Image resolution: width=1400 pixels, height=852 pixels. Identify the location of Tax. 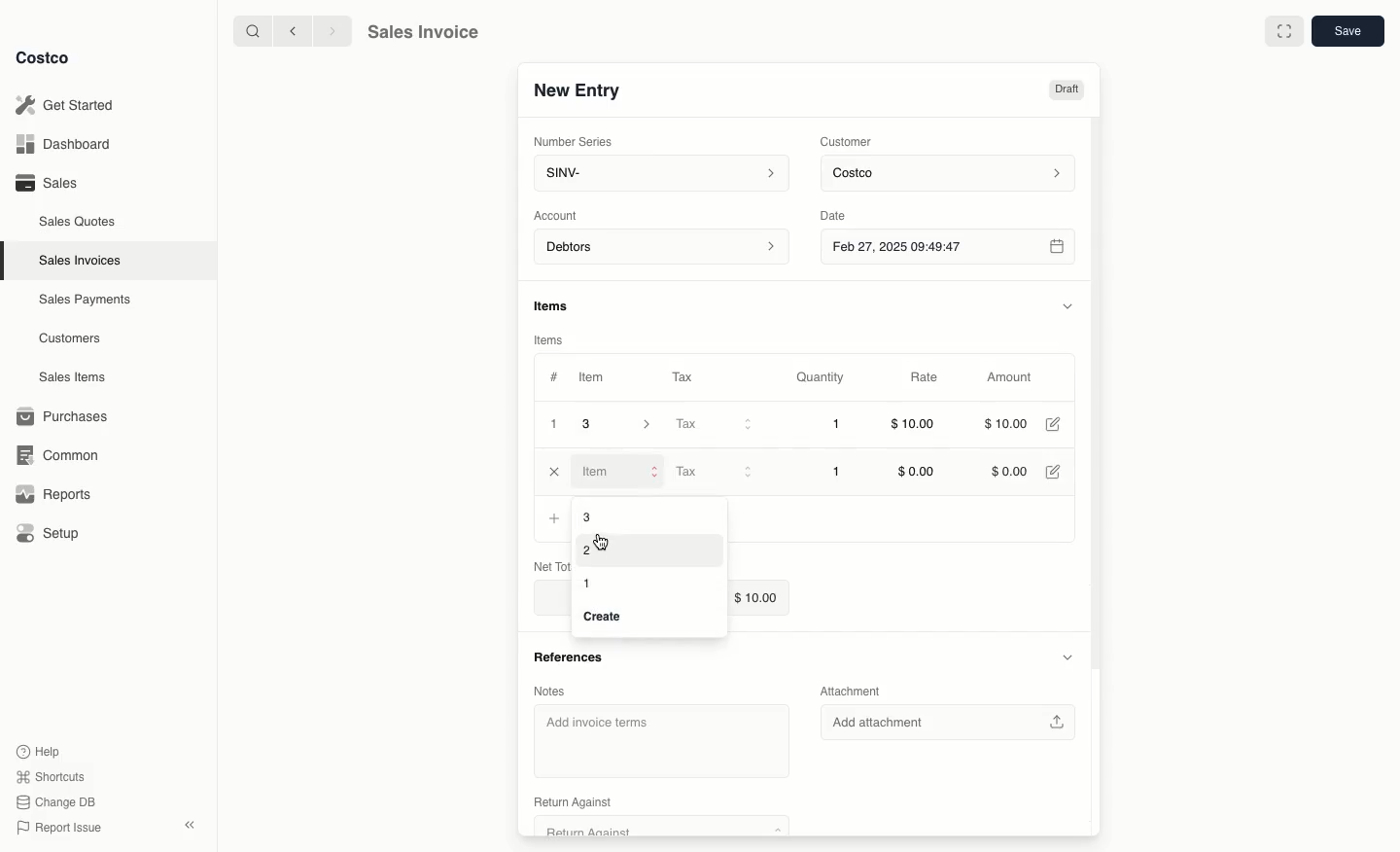
(713, 425).